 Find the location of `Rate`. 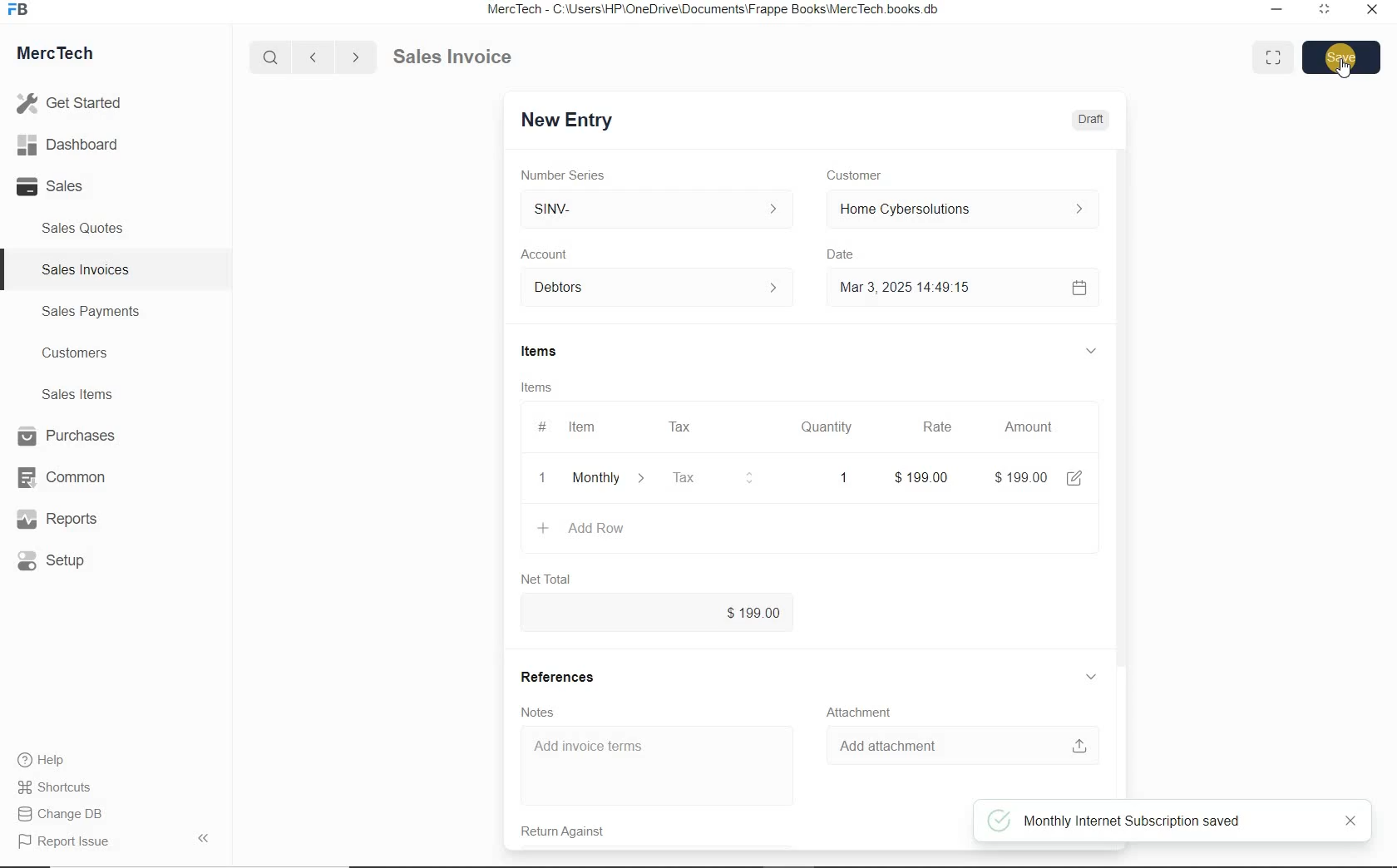

Rate is located at coordinates (935, 428).